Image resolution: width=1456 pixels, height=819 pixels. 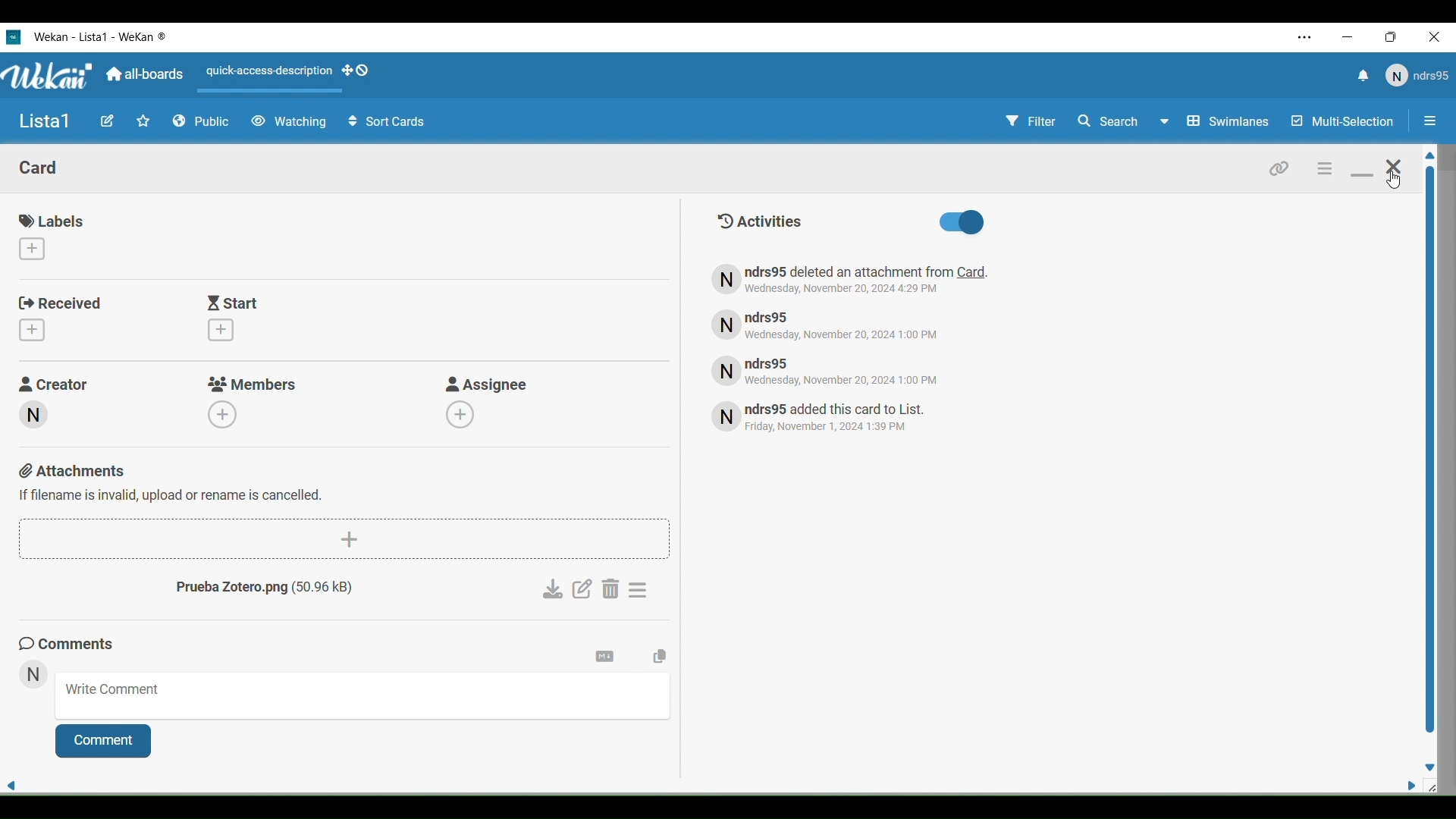 I want to click on Text, so click(x=836, y=324).